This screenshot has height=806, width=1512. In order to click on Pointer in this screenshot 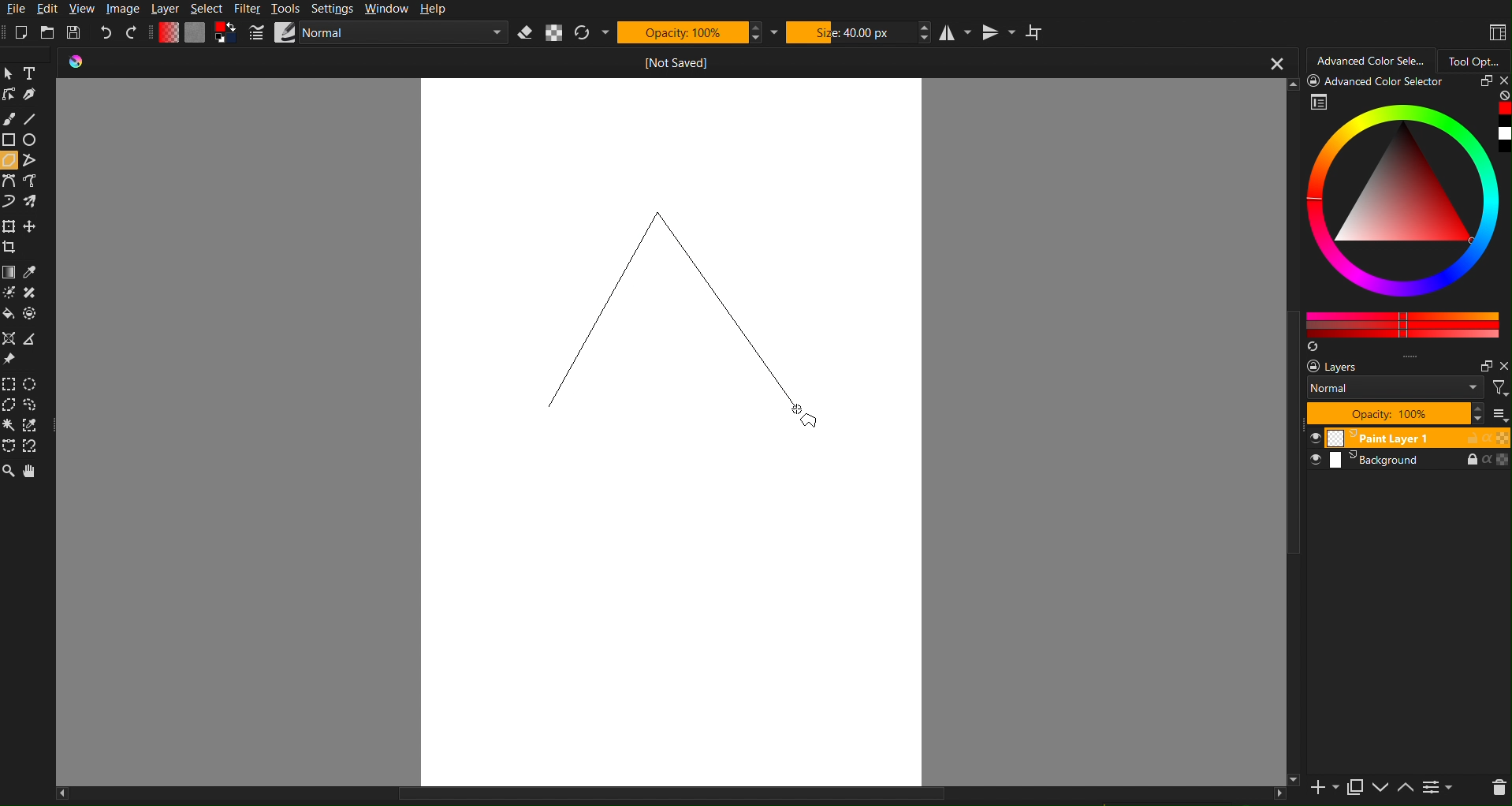, I will do `click(9, 73)`.